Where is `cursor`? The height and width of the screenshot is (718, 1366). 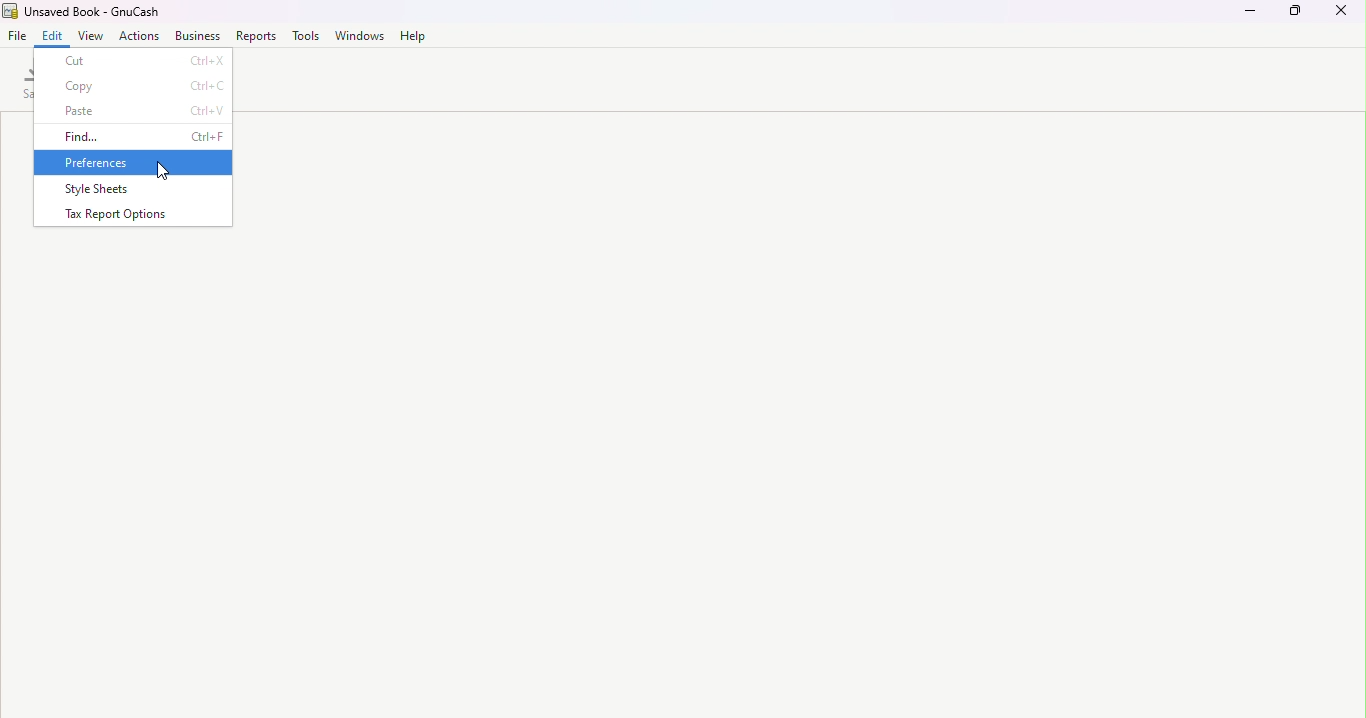 cursor is located at coordinates (162, 173).